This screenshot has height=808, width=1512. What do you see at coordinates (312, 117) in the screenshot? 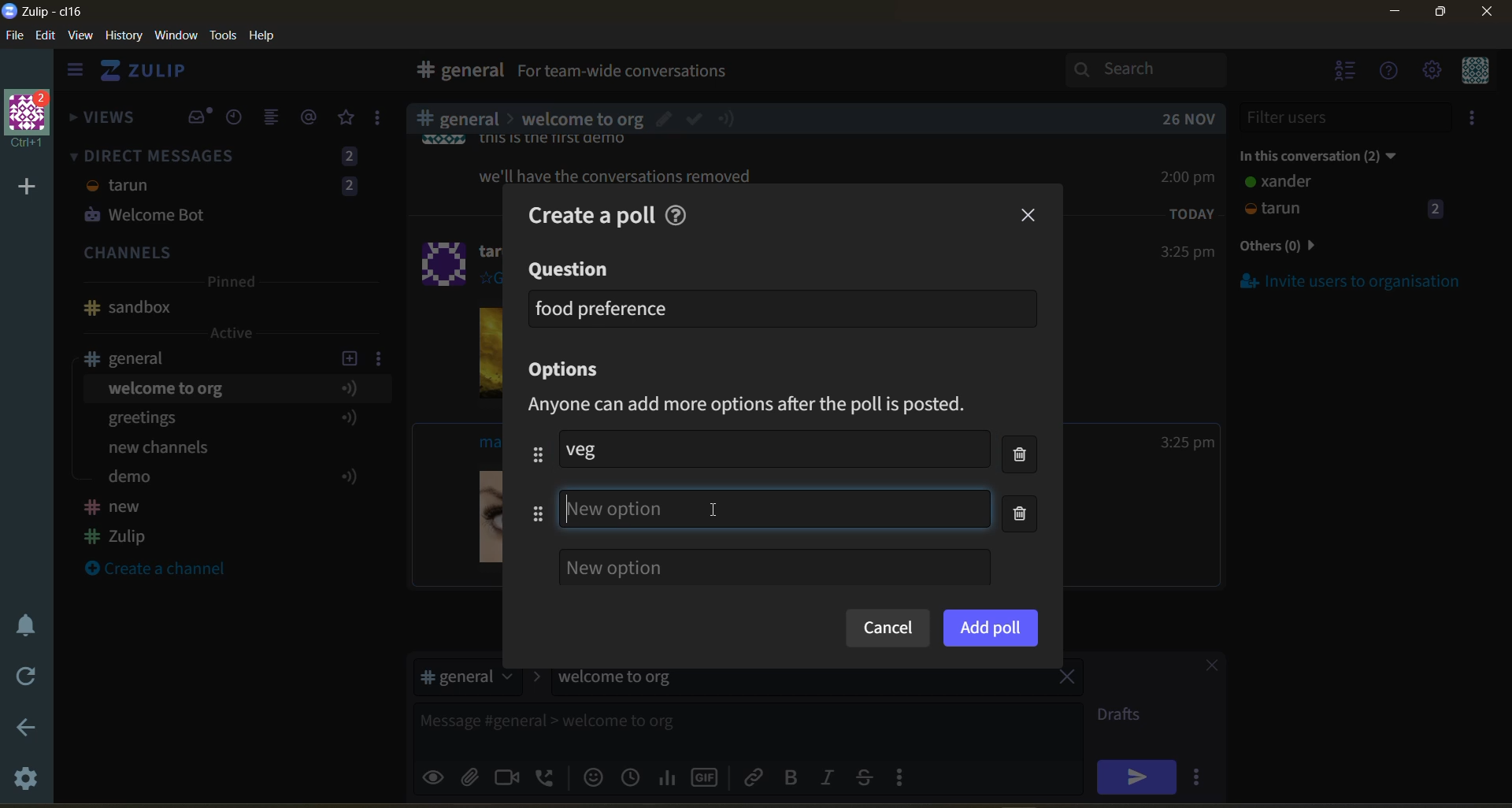
I see `mentions` at bounding box center [312, 117].